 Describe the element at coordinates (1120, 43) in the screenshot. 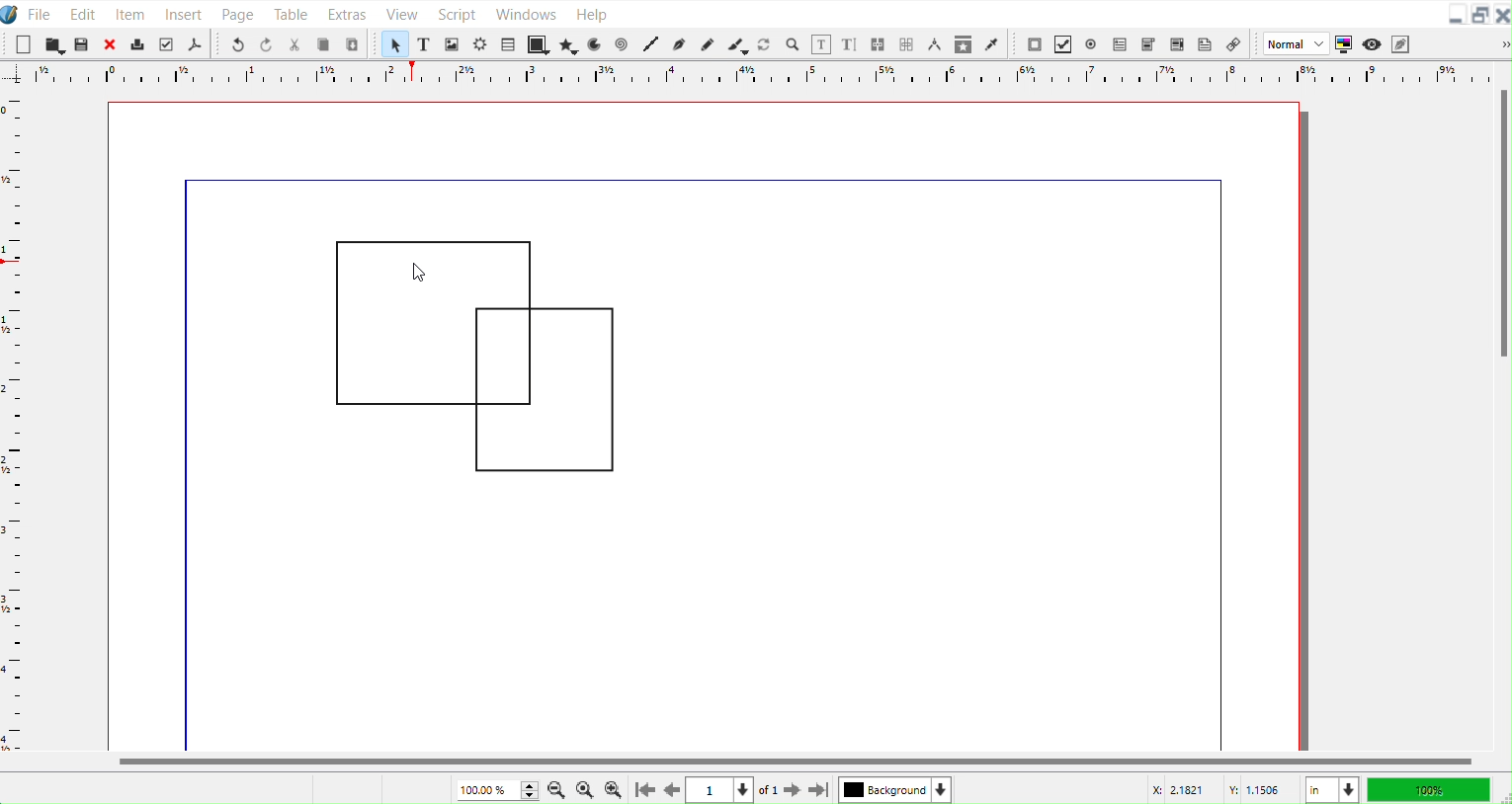

I see `PDF Text Field` at that location.